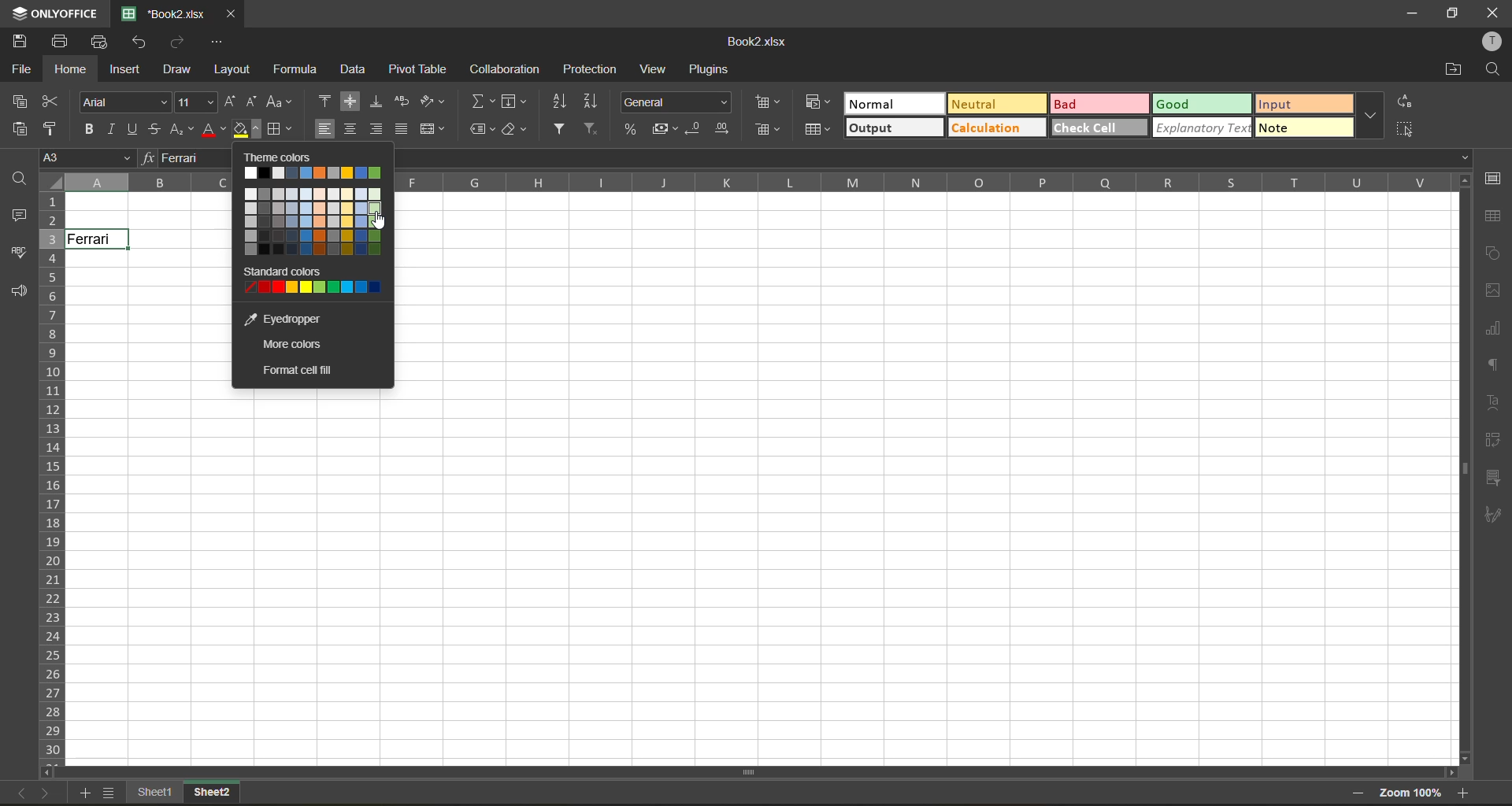 The width and height of the screenshot is (1512, 806). Describe the element at coordinates (765, 771) in the screenshot. I see `Horizonal Scrollbar` at that location.